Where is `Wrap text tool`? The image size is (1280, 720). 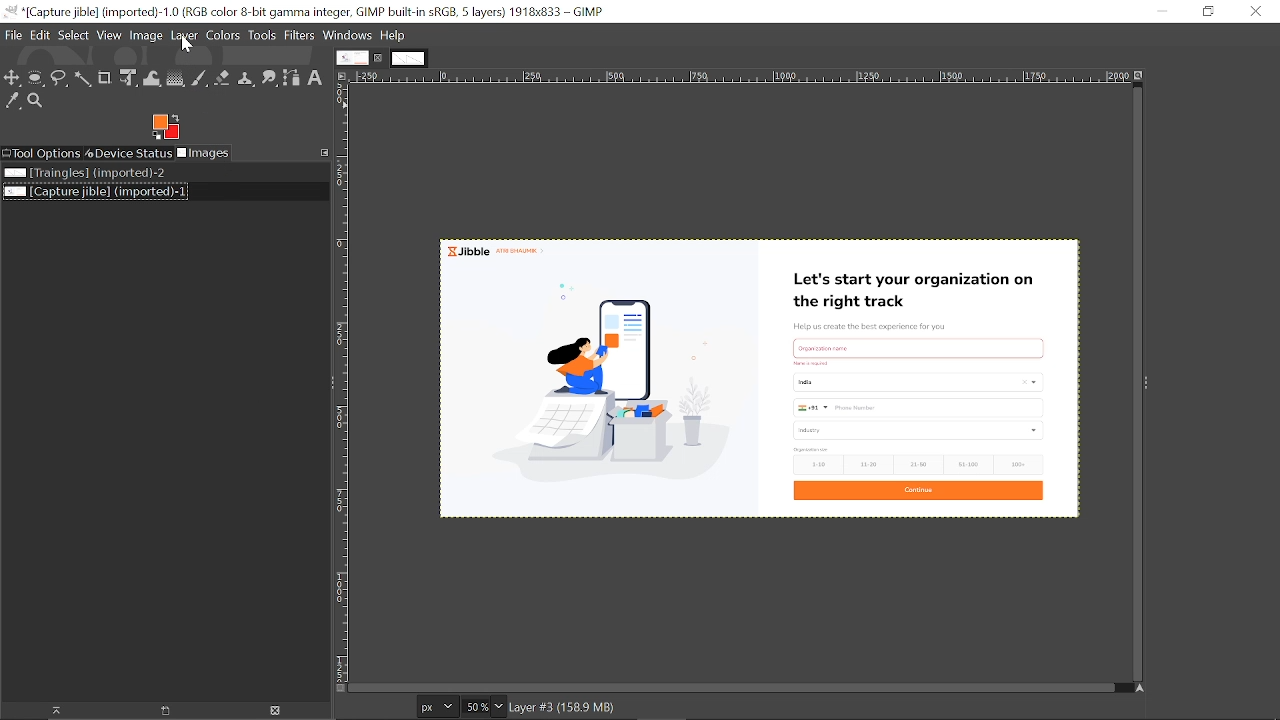
Wrap text tool is located at coordinates (151, 79).